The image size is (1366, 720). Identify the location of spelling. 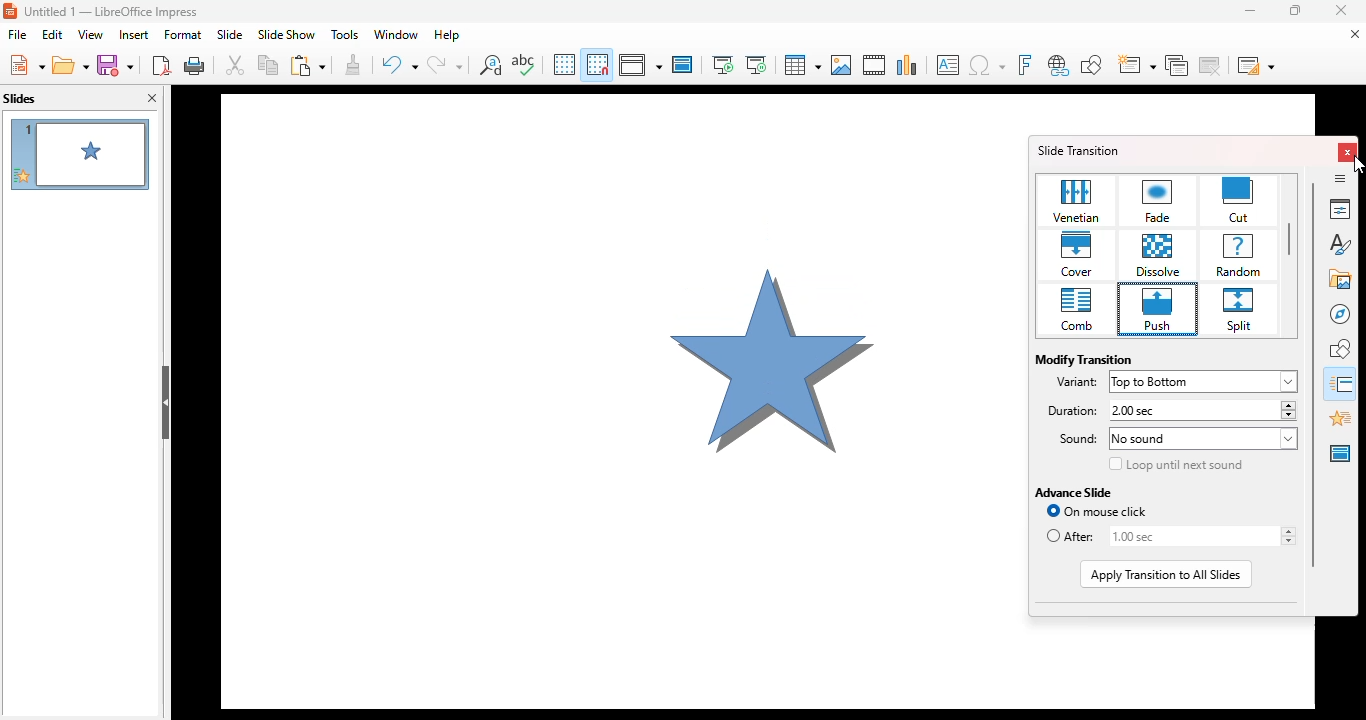
(523, 63).